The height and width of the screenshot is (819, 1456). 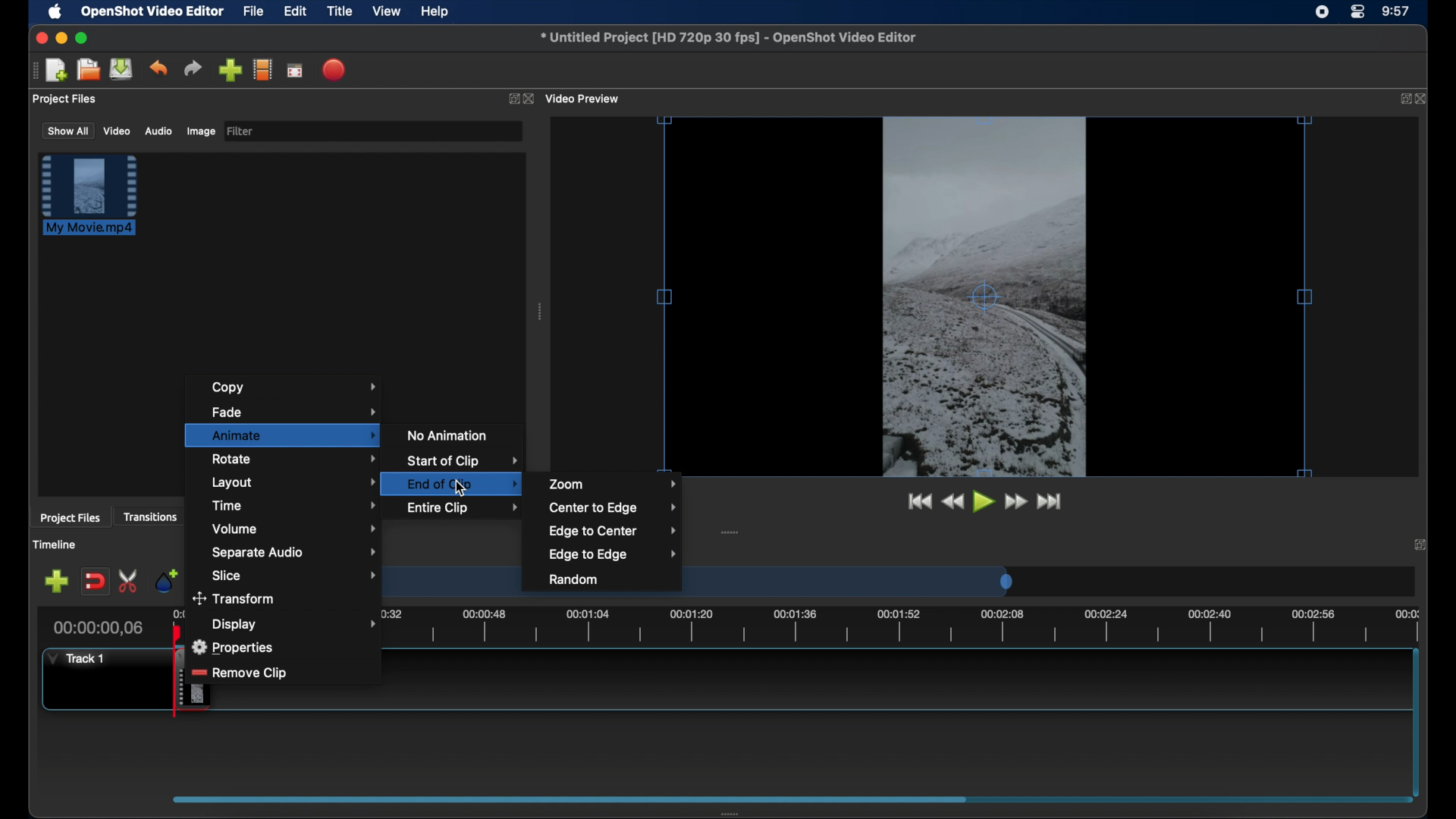 I want to click on project files, so click(x=70, y=518).